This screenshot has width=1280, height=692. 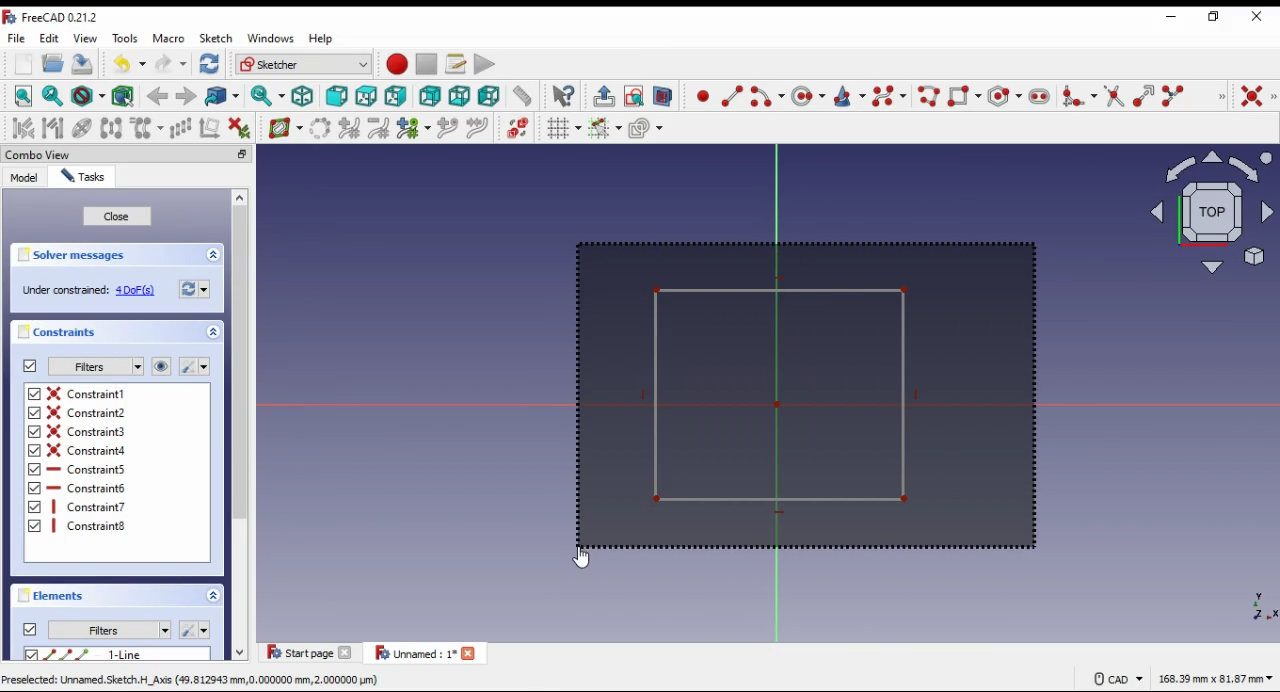 What do you see at coordinates (90, 469) in the screenshot?
I see `on/off constraint 5` at bounding box center [90, 469].